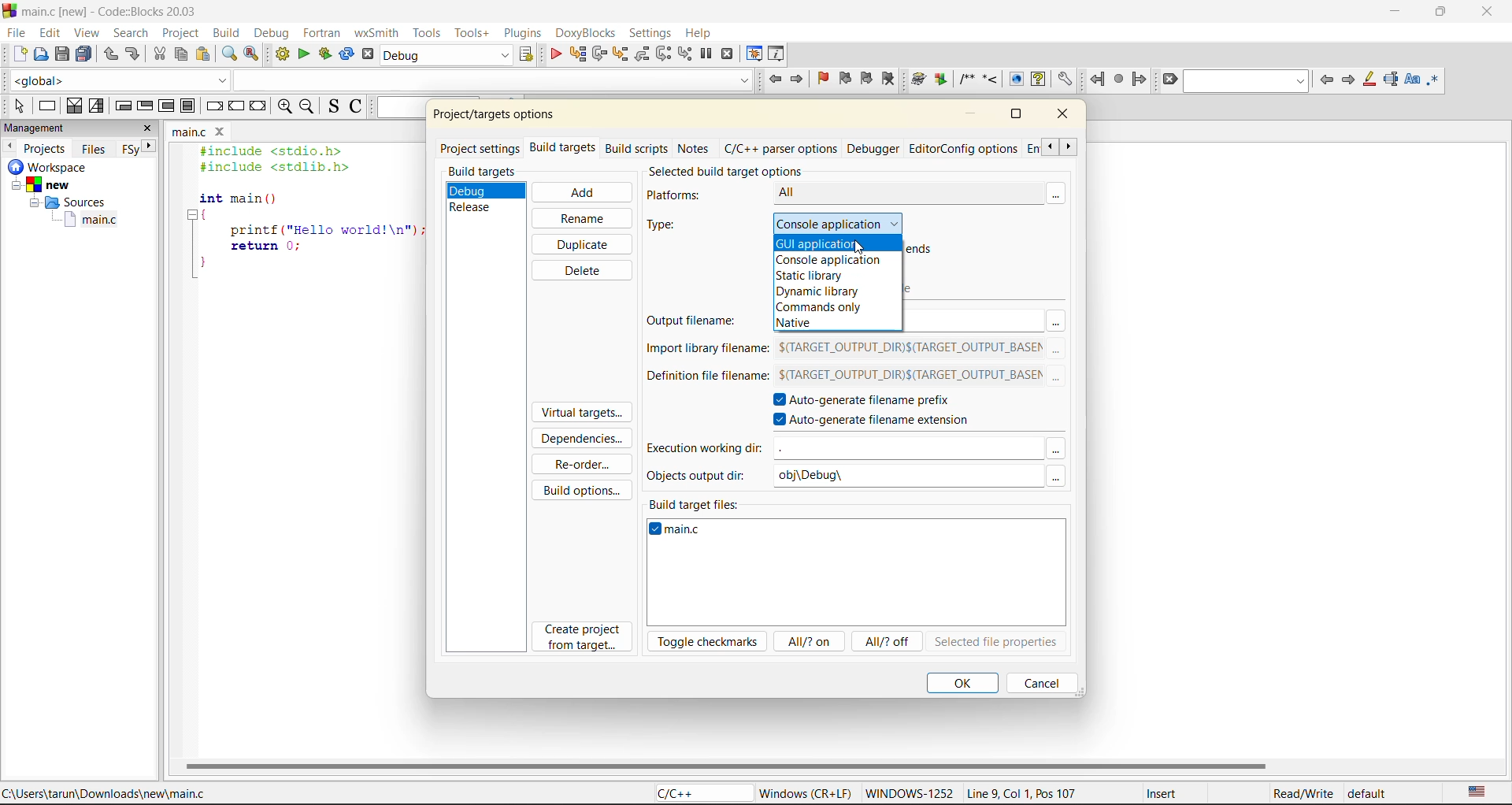  I want to click on selected text, so click(1392, 80).